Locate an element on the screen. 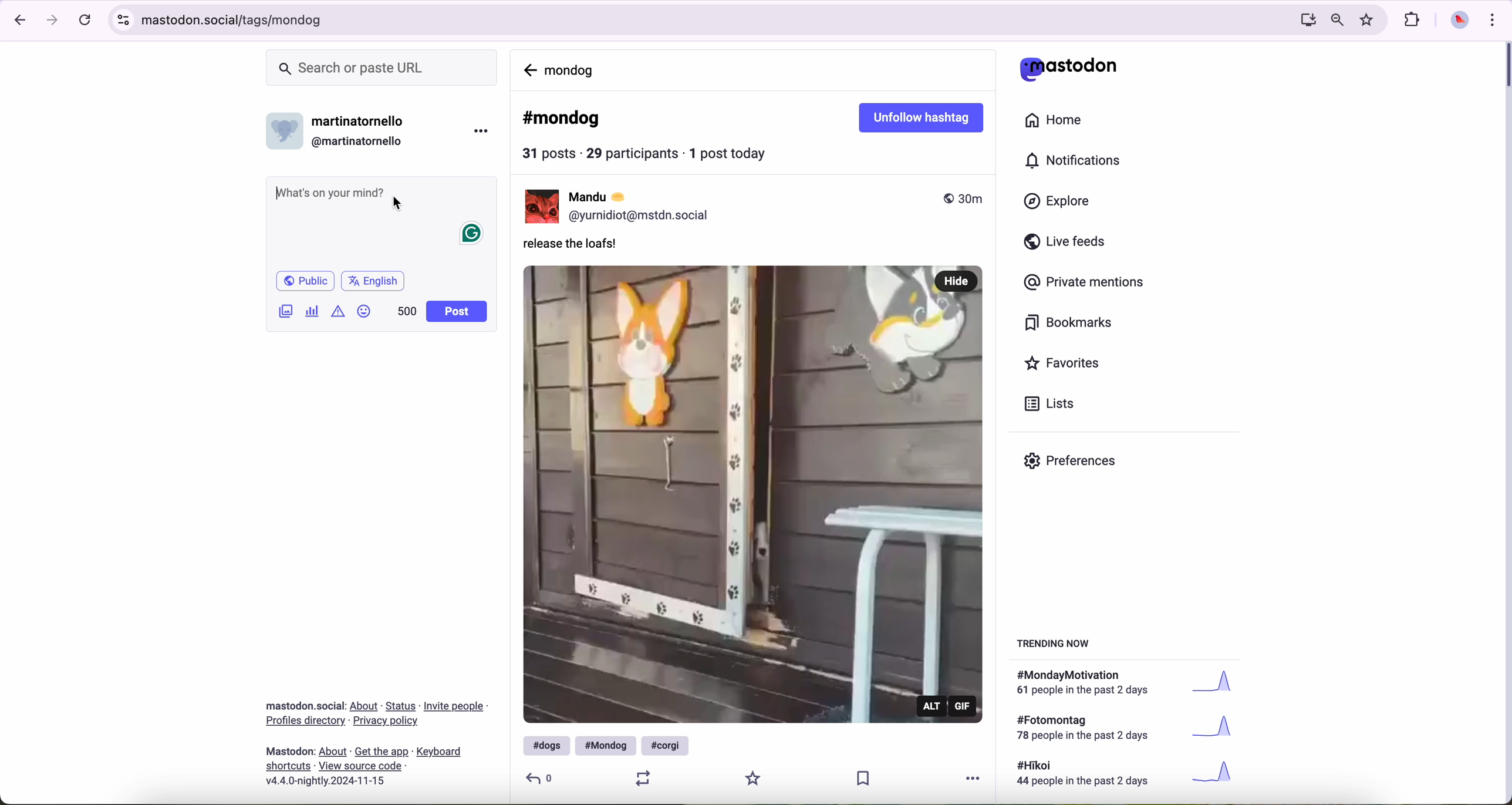 This screenshot has height=805, width=1512. images is located at coordinates (286, 312).